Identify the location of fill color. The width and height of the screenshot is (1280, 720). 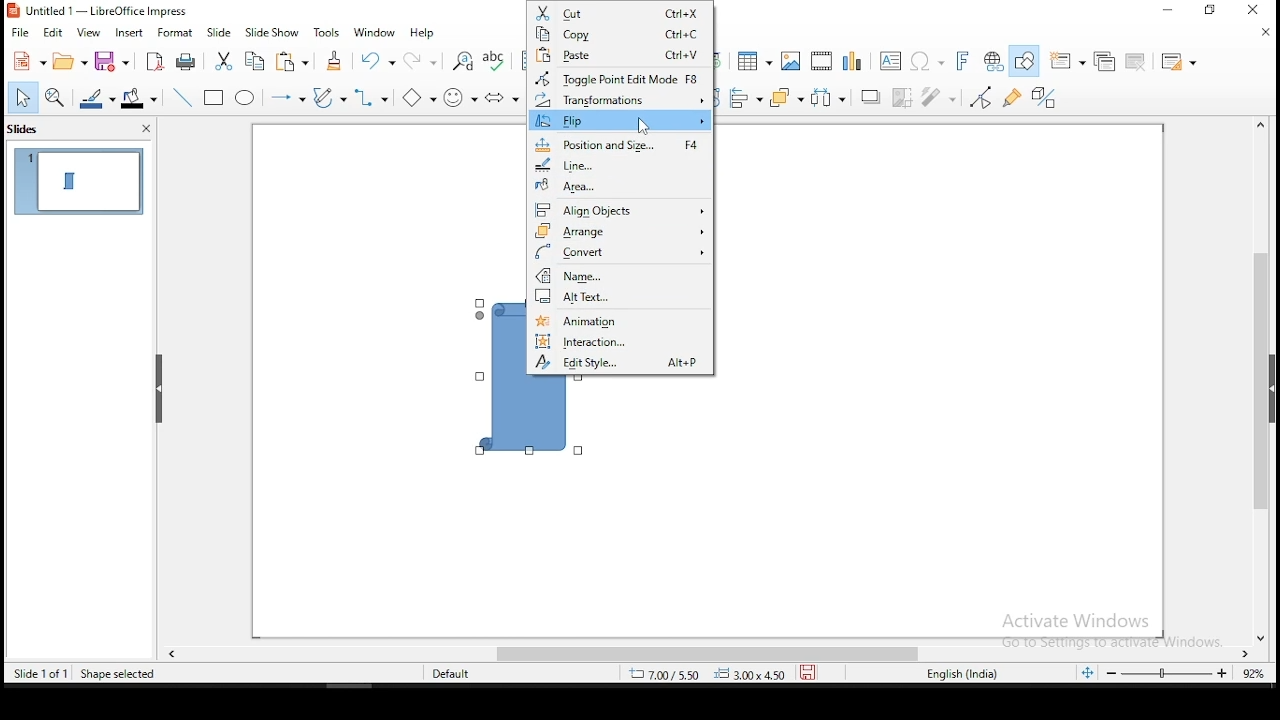
(138, 98).